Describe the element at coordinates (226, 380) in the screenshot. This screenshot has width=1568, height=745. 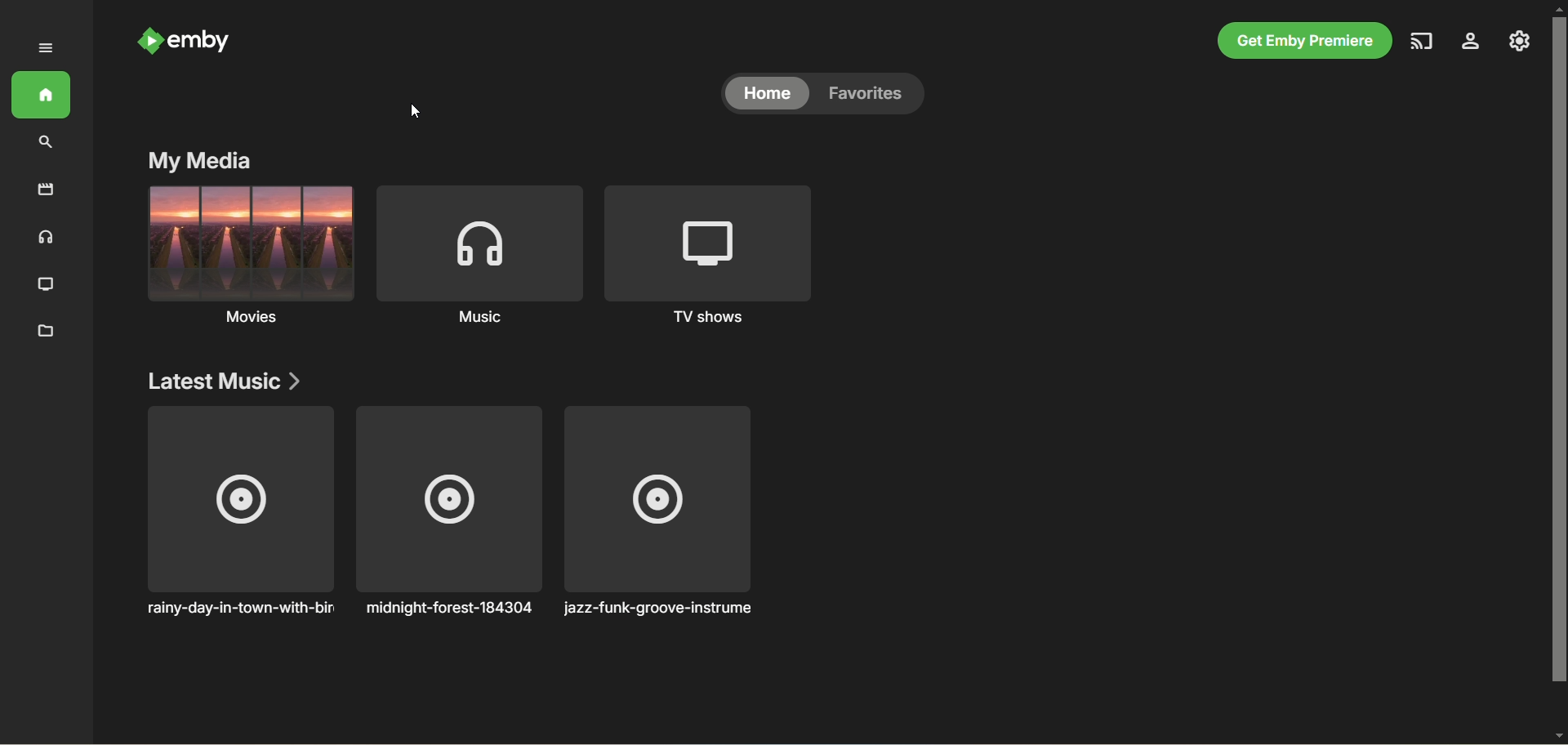
I see `latest music` at that location.